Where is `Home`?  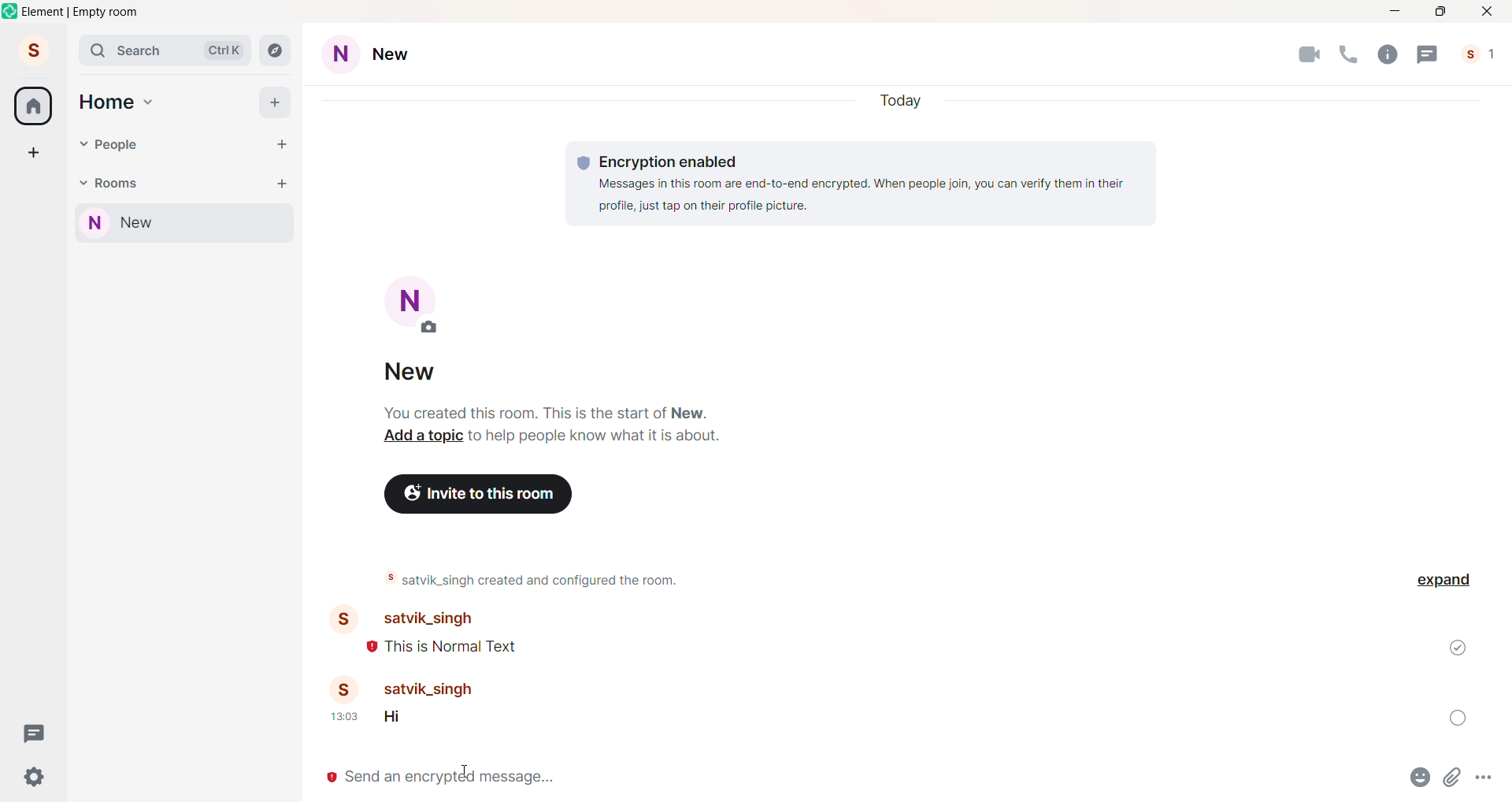 Home is located at coordinates (33, 106).